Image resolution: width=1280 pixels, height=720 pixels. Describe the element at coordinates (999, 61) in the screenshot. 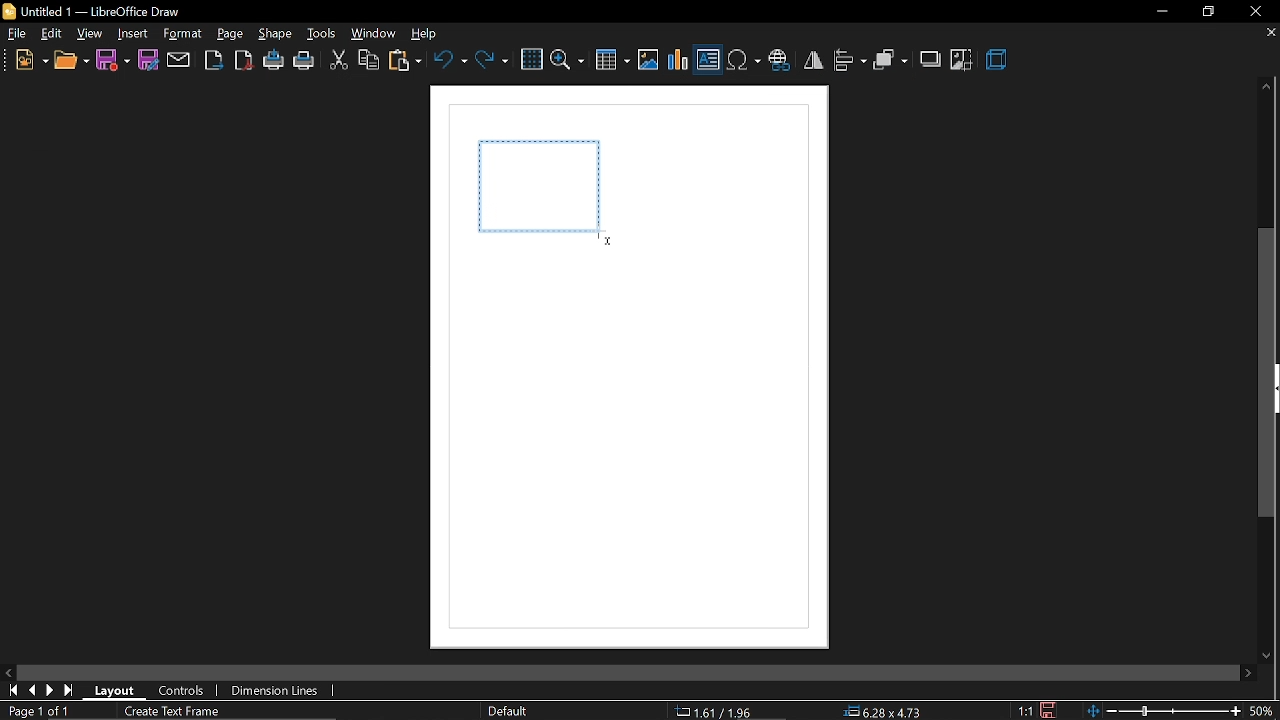

I see `3d effect` at that location.